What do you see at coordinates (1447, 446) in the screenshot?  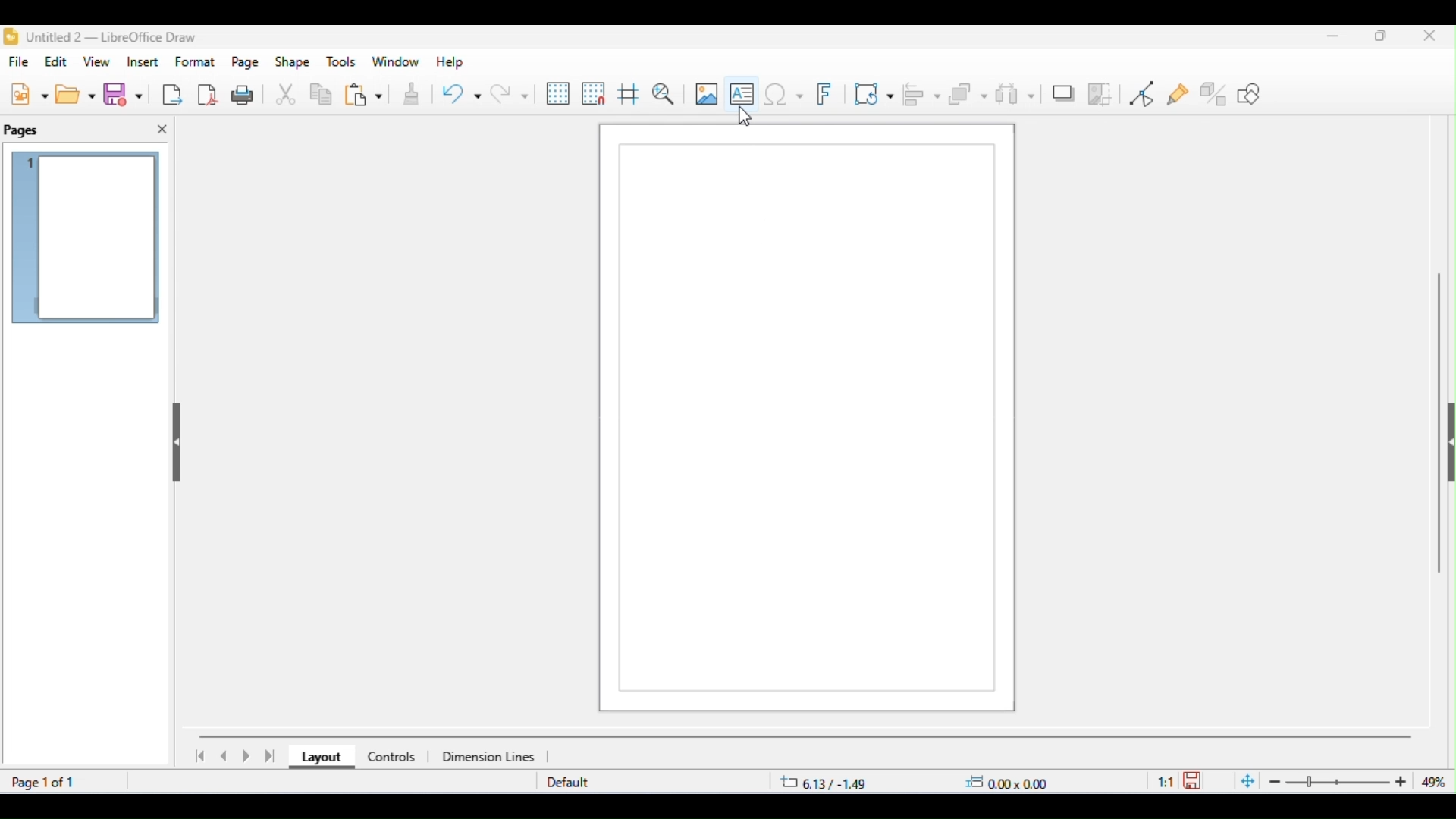 I see `hide` at bounding box center [1447, 446].